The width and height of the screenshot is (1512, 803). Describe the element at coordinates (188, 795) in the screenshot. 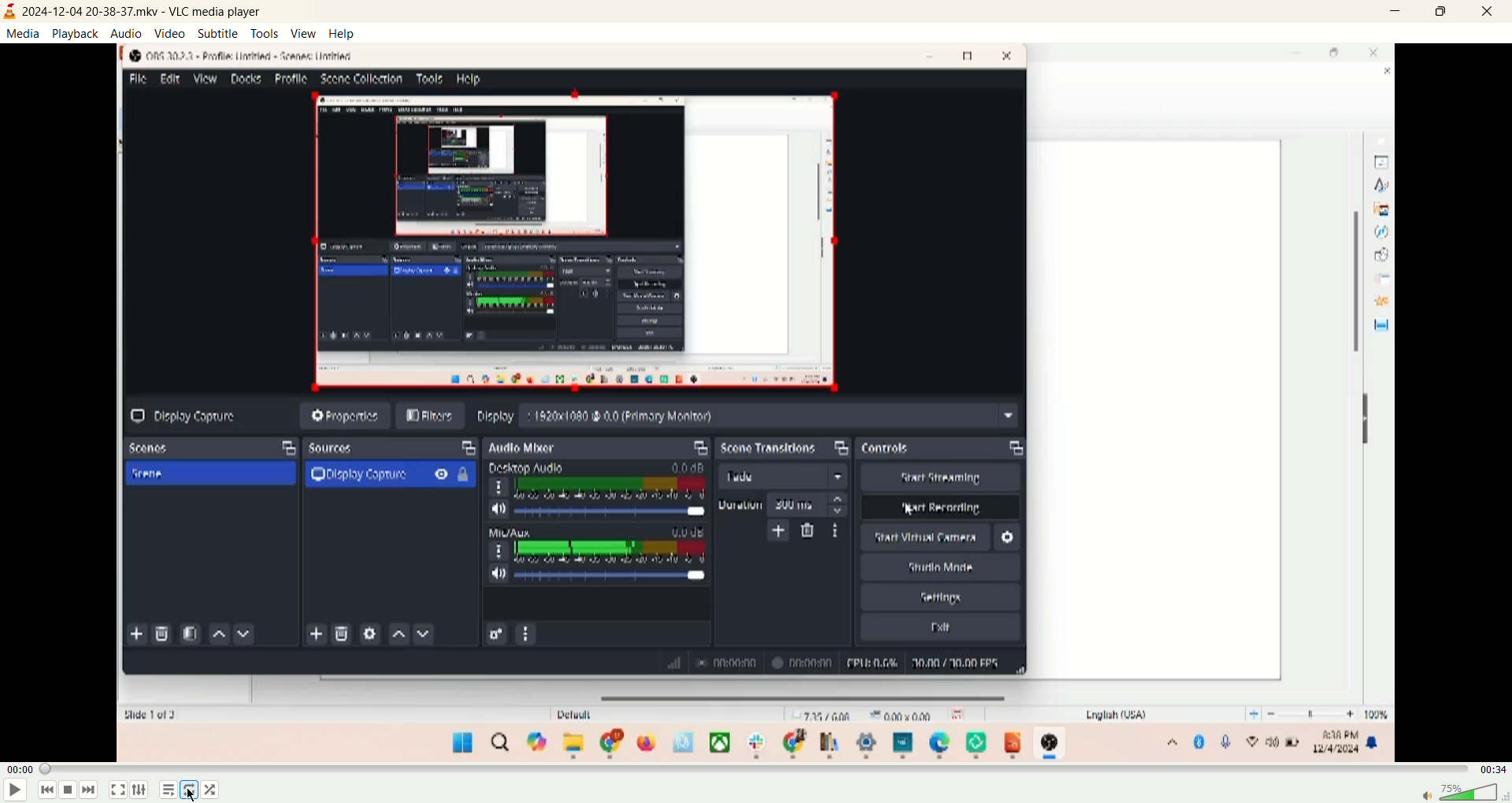

I see `cursor` at that location.